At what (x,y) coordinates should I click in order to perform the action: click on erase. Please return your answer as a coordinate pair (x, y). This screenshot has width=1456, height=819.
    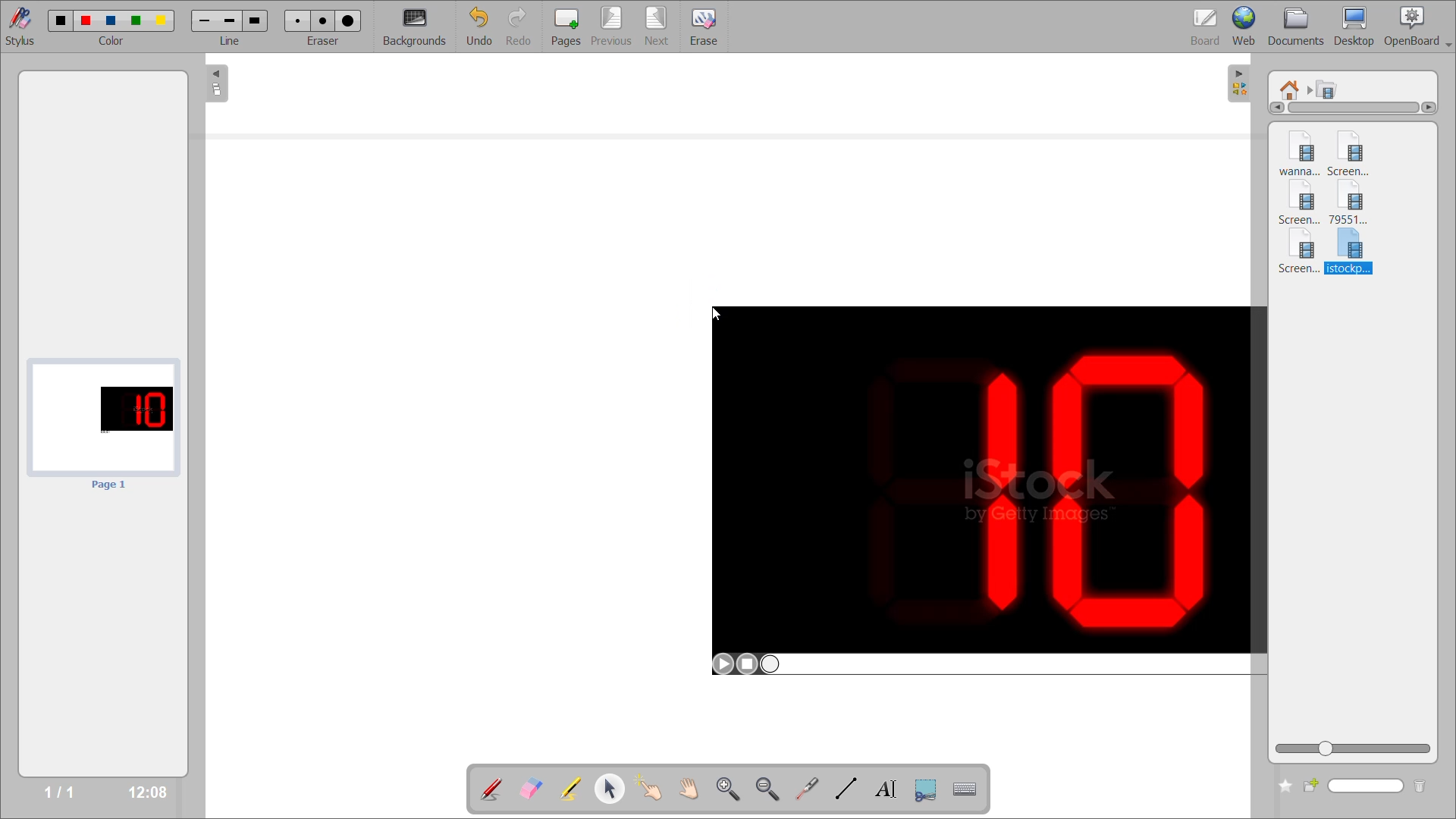
    Looking at the image, I should click on (705, 28).